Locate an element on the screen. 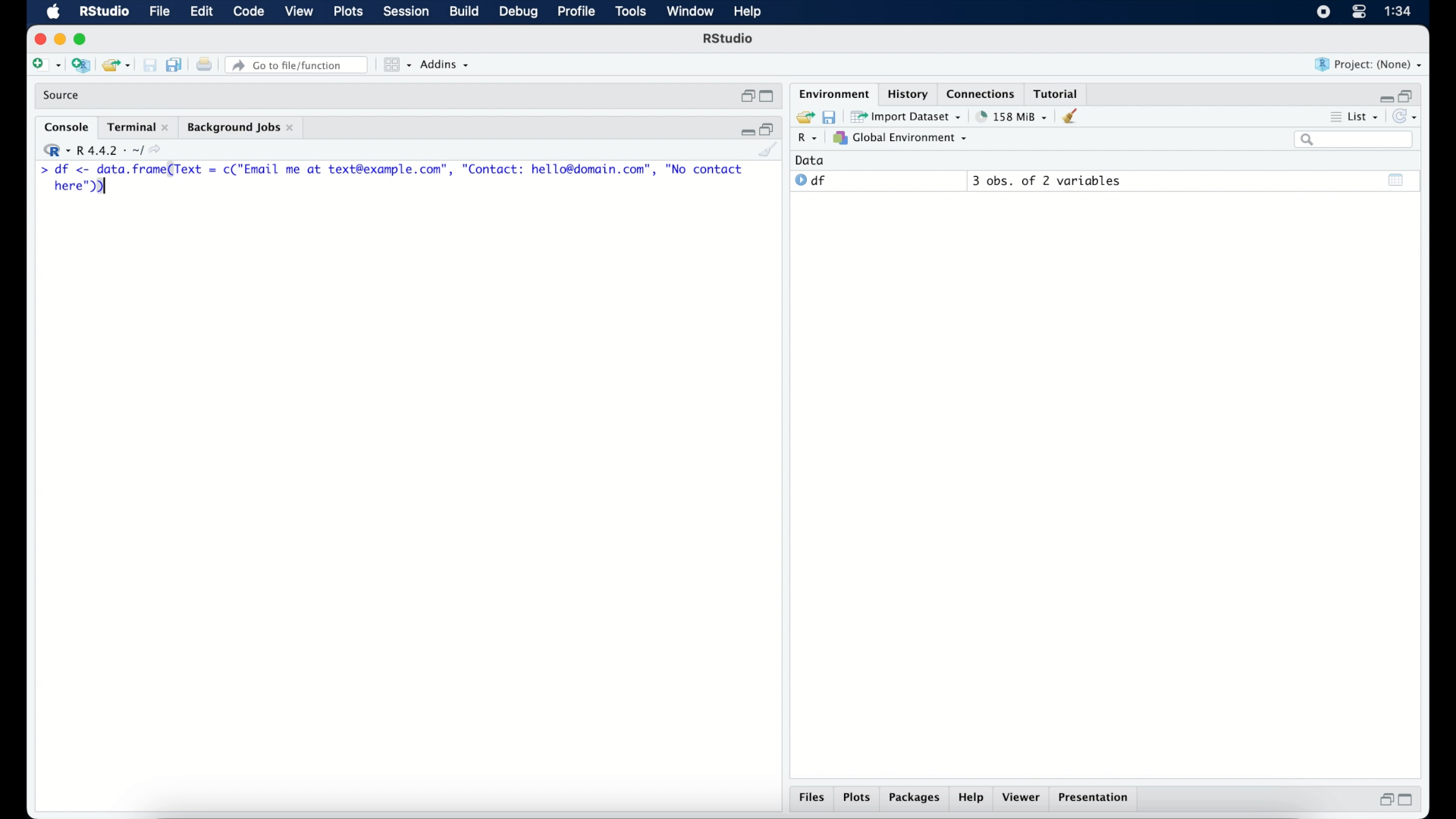  refresh is located at coordinates (1409, 117).